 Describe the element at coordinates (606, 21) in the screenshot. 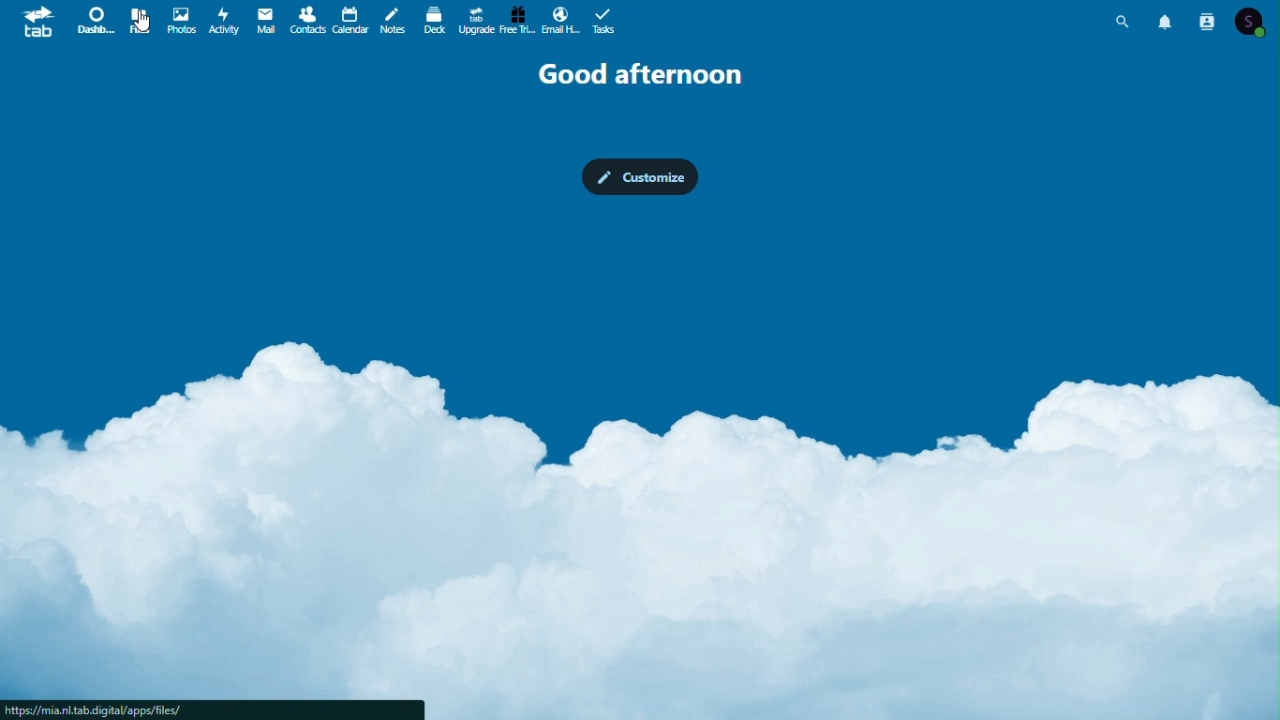

I see `task` at that location.